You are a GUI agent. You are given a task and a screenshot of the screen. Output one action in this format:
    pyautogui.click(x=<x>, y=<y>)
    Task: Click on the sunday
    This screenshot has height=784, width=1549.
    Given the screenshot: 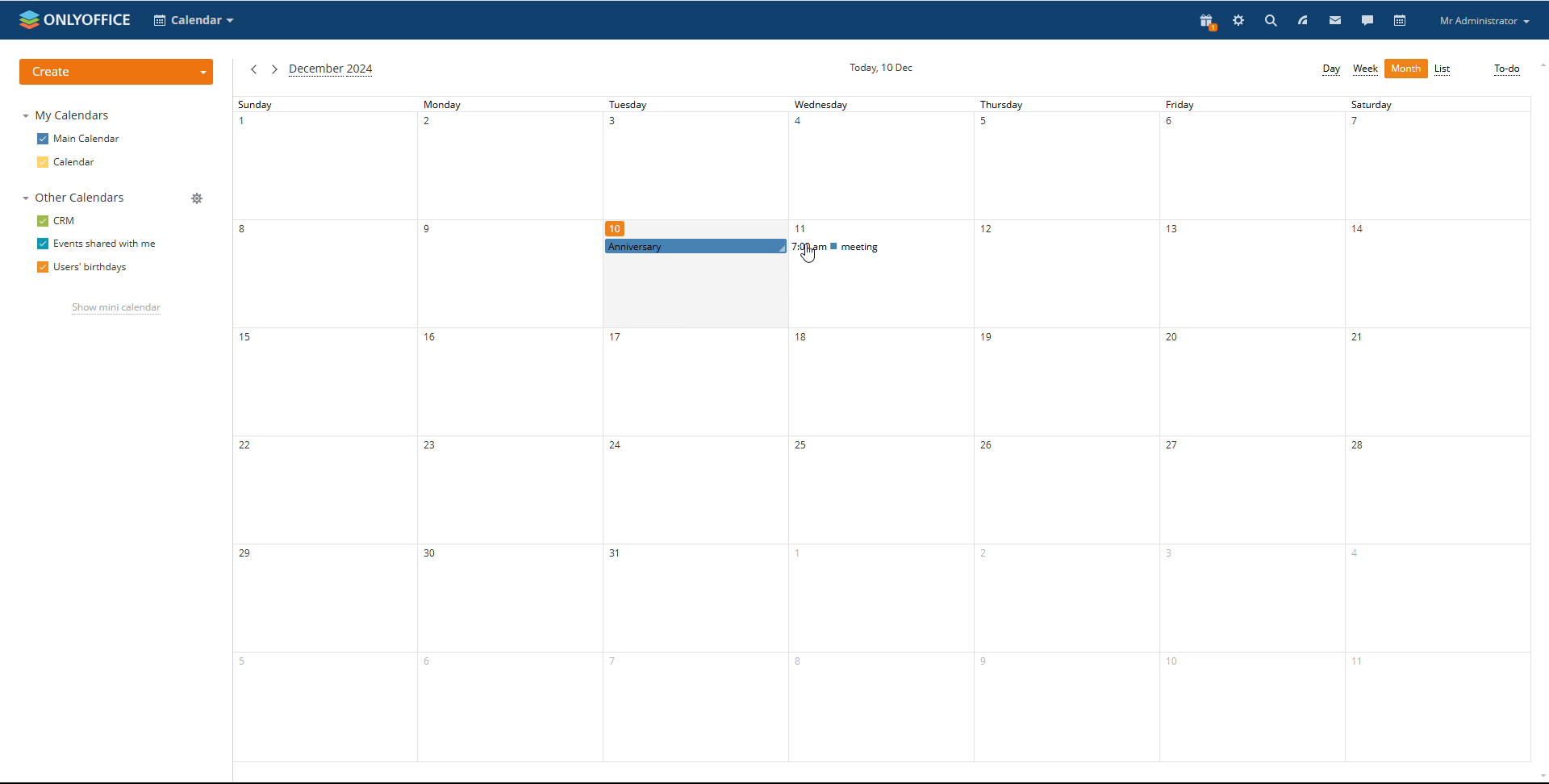 What is the action you would take?
    pyautogui.click(x=322, y=428)
    